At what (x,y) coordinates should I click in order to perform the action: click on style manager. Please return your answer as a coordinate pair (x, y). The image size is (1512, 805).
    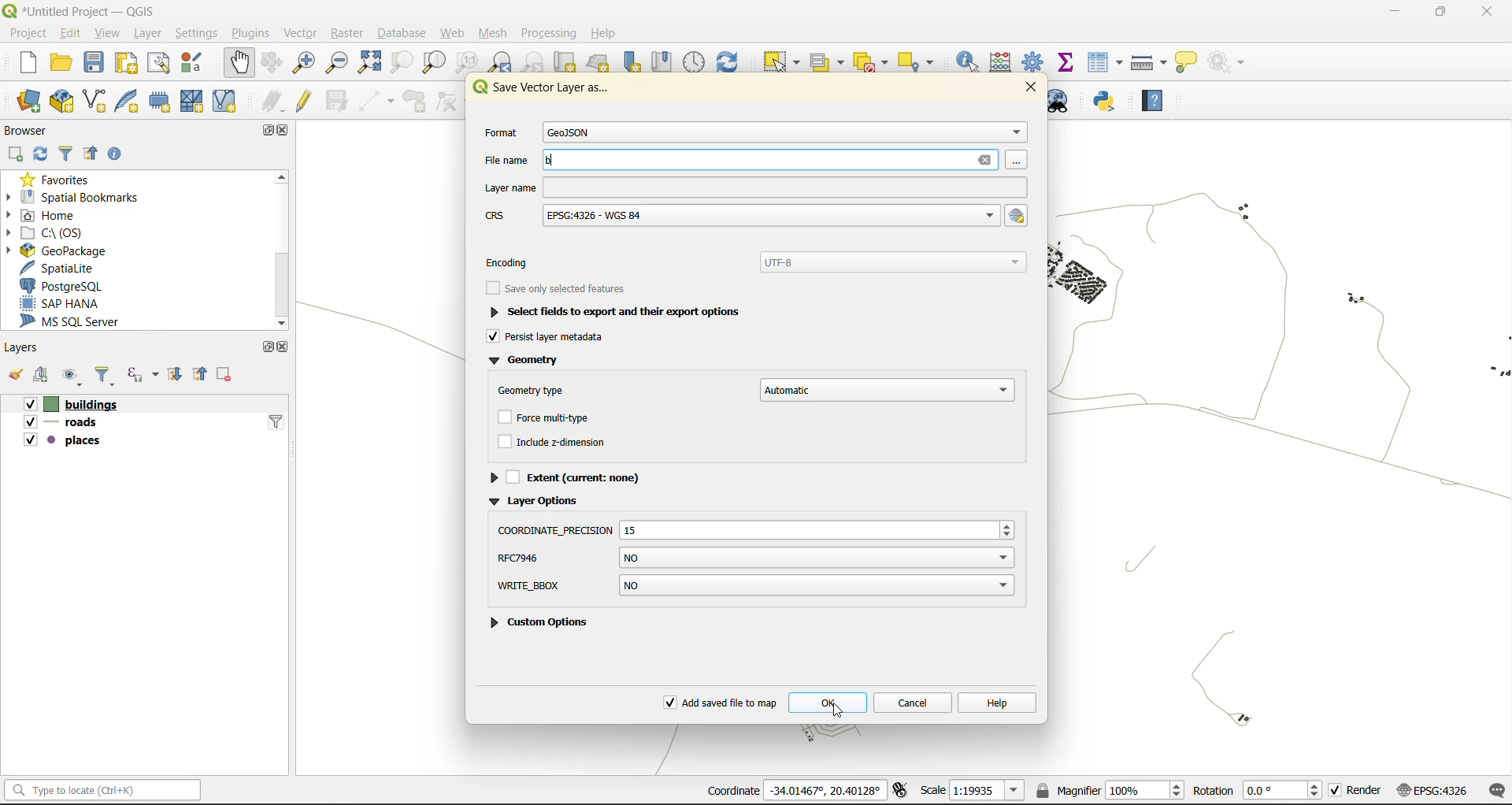
    Looking at the image, I should click on (192, 65).